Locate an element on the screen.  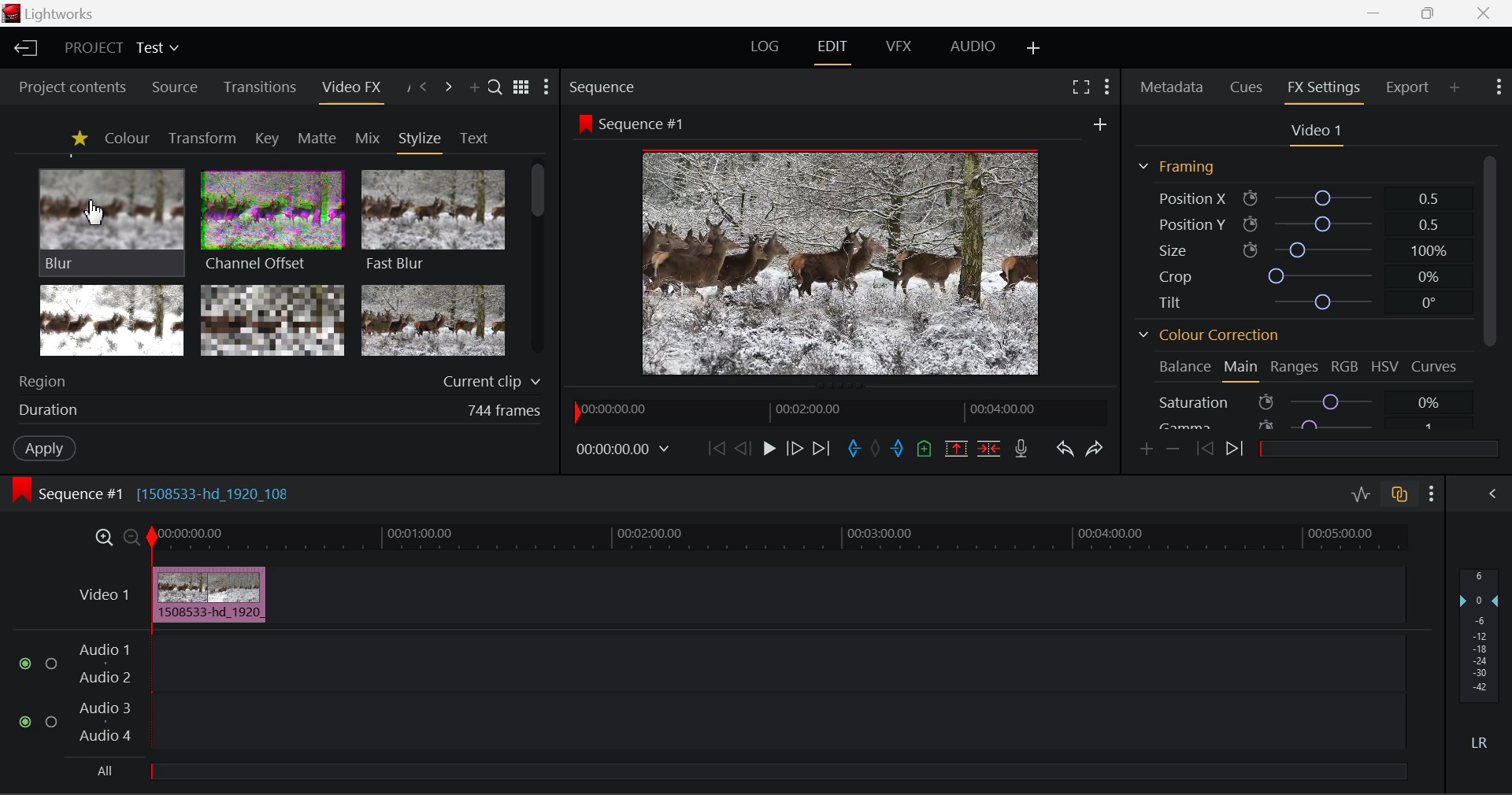
Gamma is located at coordinates (1309, 423).